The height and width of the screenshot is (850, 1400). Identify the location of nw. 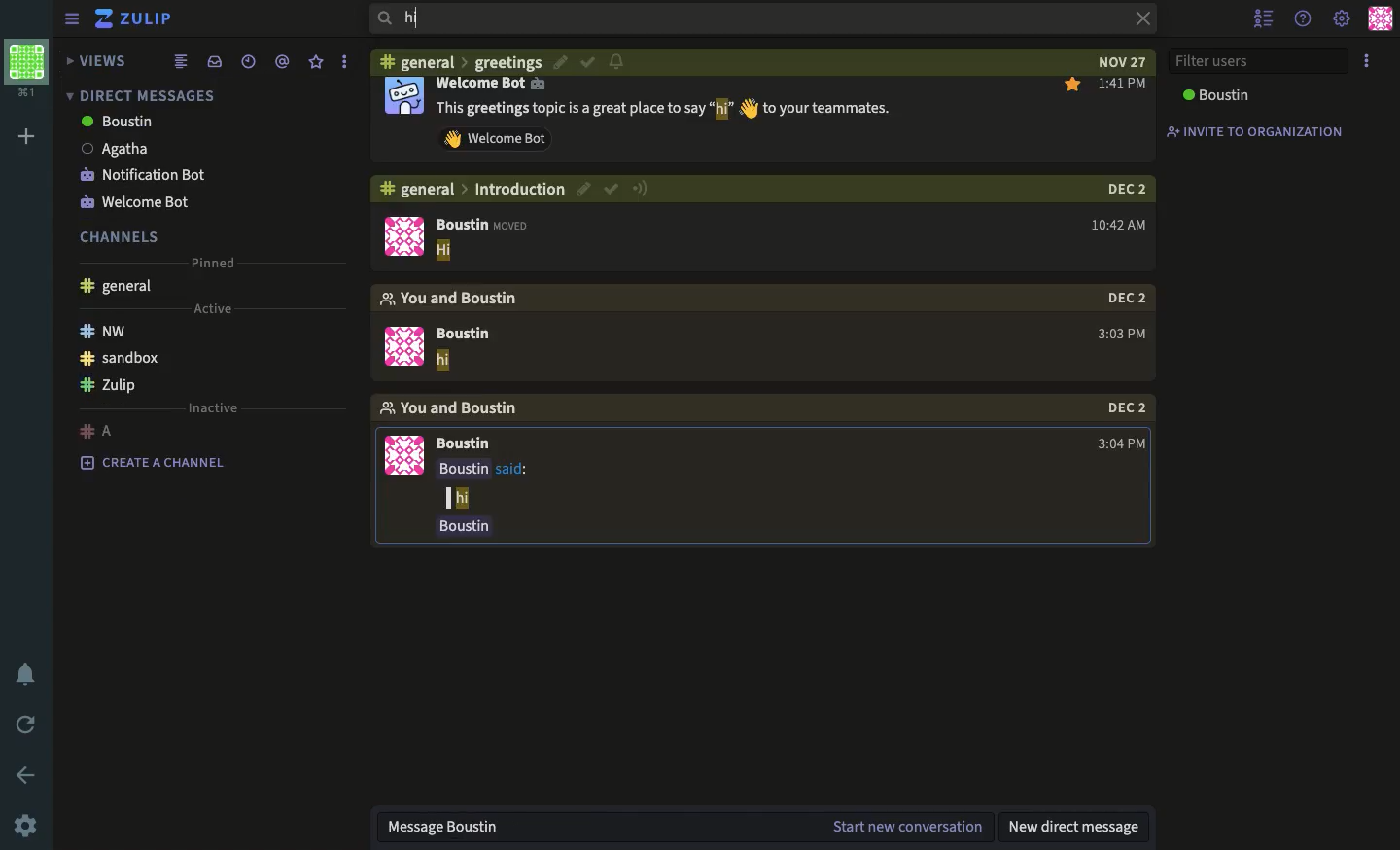
(103, 332).